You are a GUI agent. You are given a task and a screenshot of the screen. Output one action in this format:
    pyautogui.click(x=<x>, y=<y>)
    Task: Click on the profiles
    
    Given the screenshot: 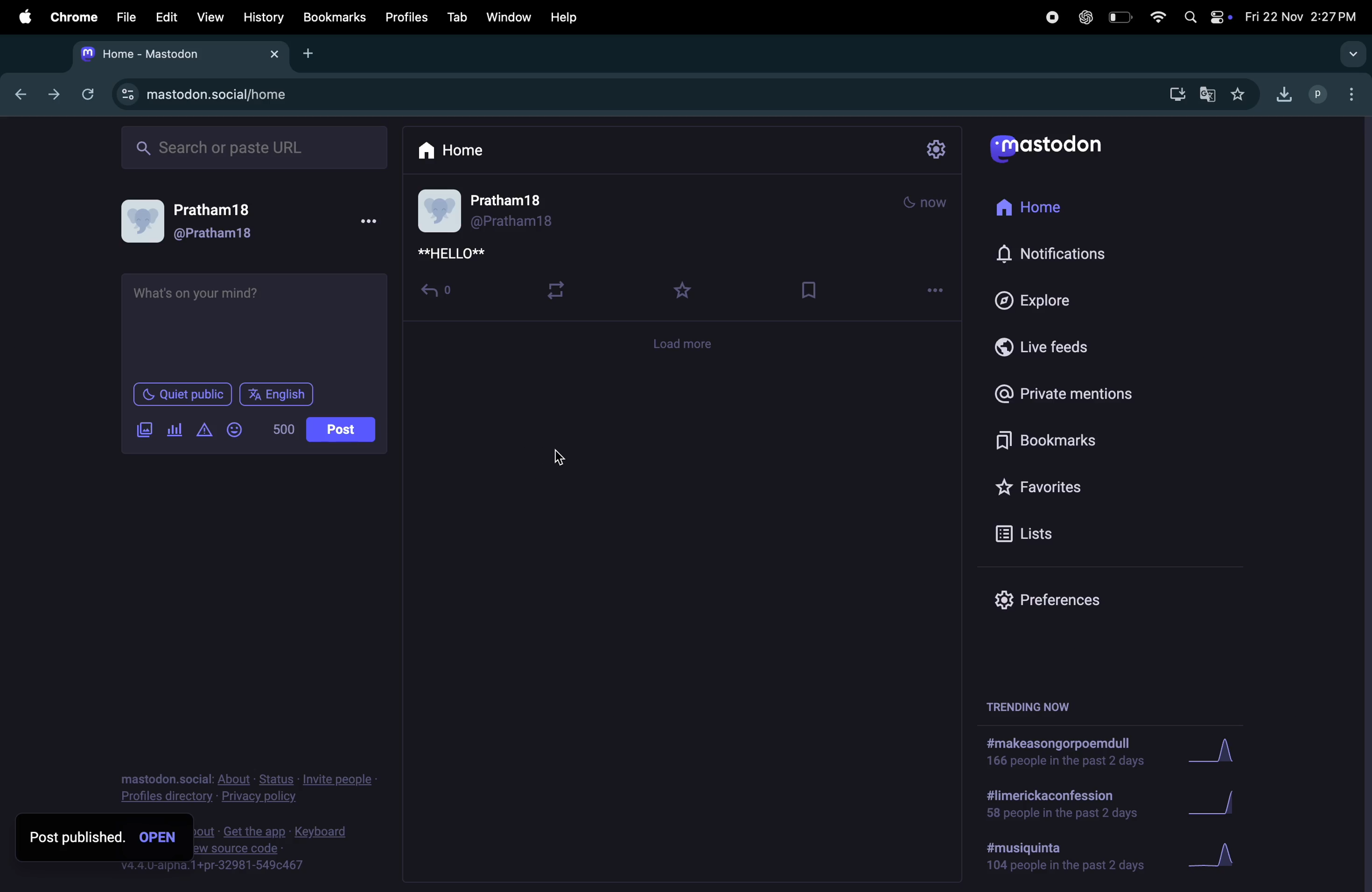 What is the action you would take?
    pyautogui.click(x=404, y=16)
    